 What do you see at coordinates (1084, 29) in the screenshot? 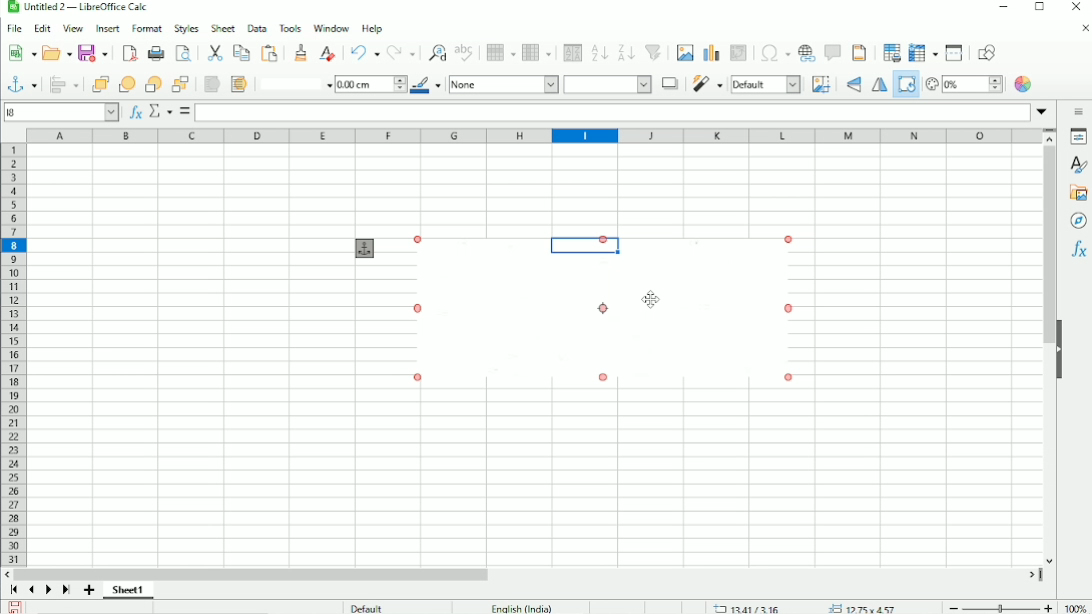
I see `Close document` at bounding box center [1084, 29].